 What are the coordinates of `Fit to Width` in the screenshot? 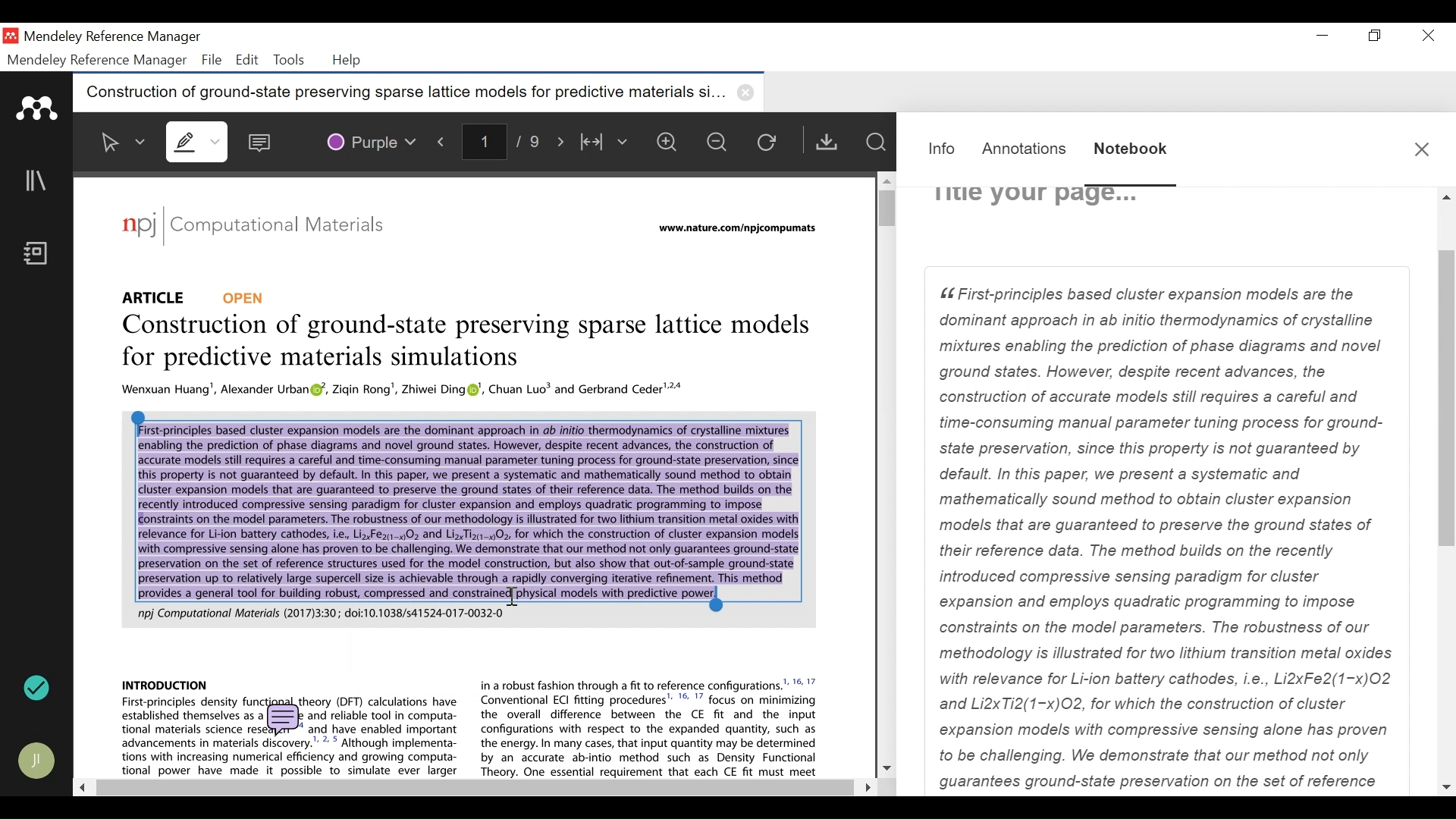 It's located at (606, 141).